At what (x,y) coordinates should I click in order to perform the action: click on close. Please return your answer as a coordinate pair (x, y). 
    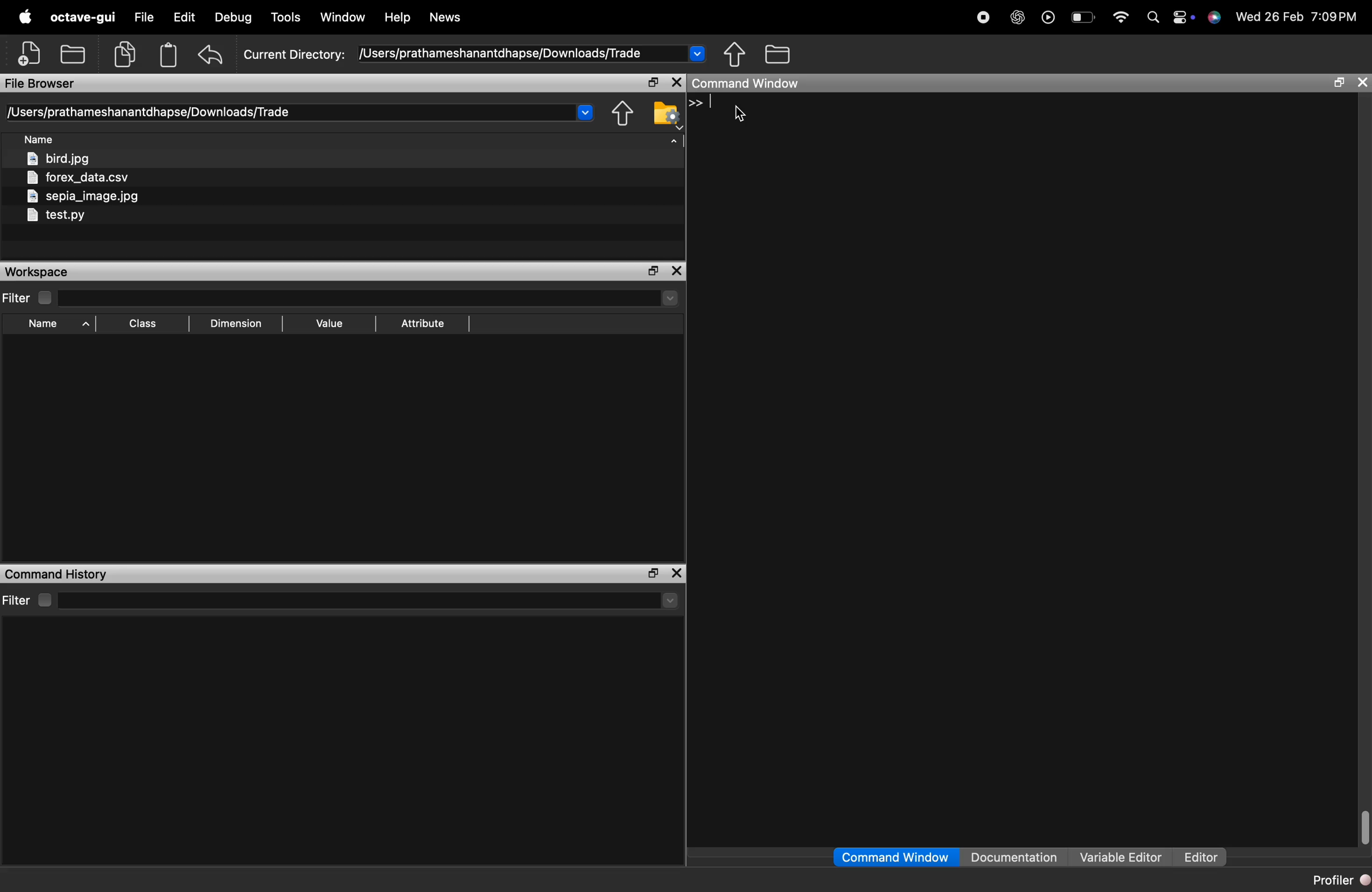
    Looking at the image, I should click on (677, 270).